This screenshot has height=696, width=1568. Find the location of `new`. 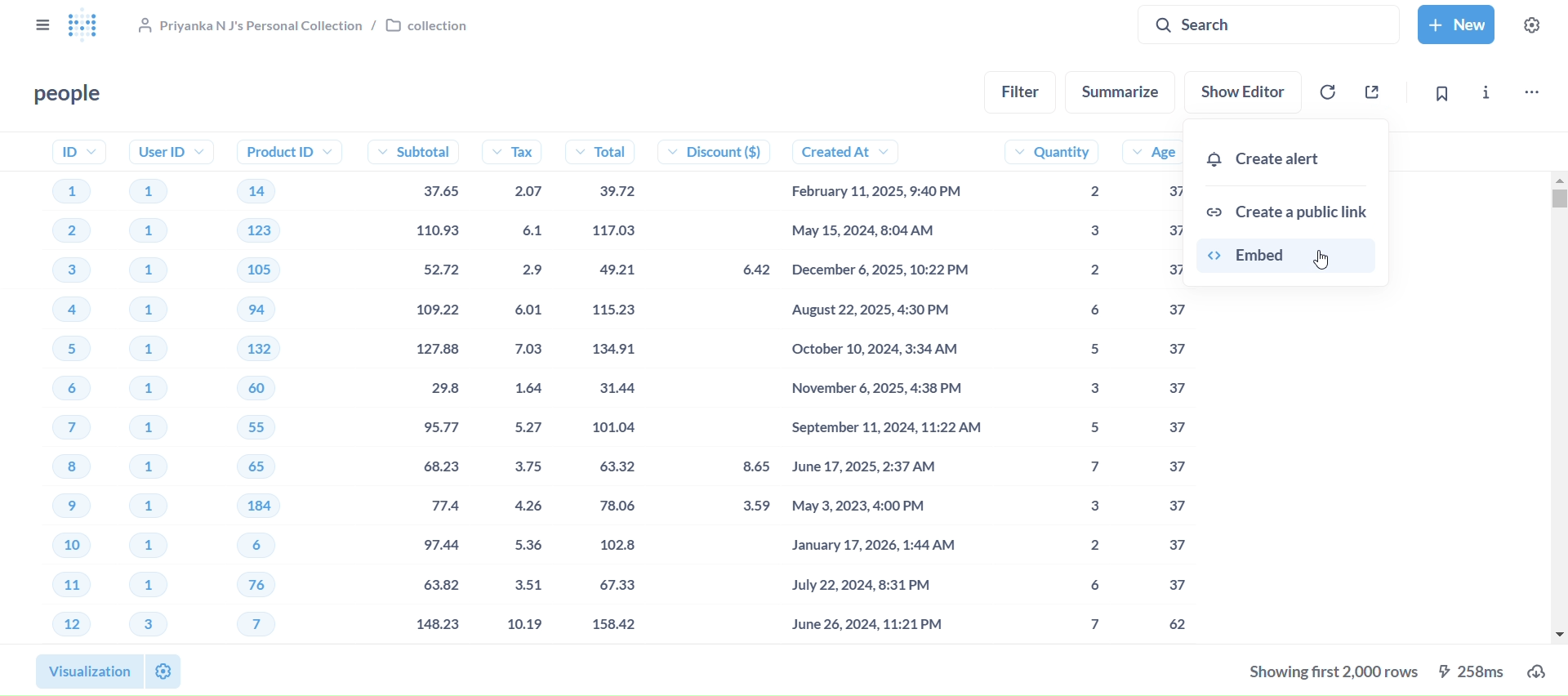

new is located at coordinates (1460, 25).